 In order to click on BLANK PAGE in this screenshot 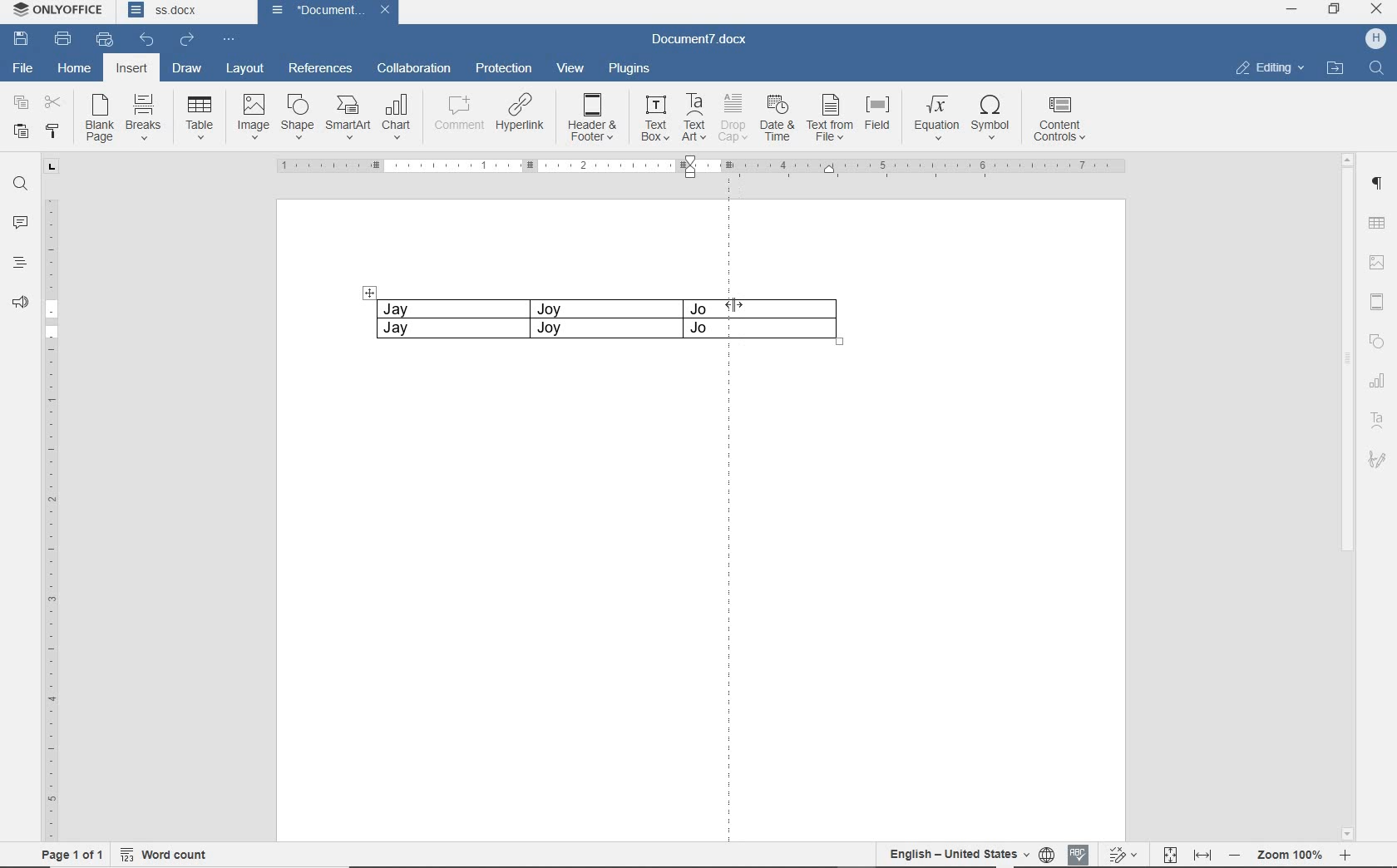, I will do `click(97, 120)`.